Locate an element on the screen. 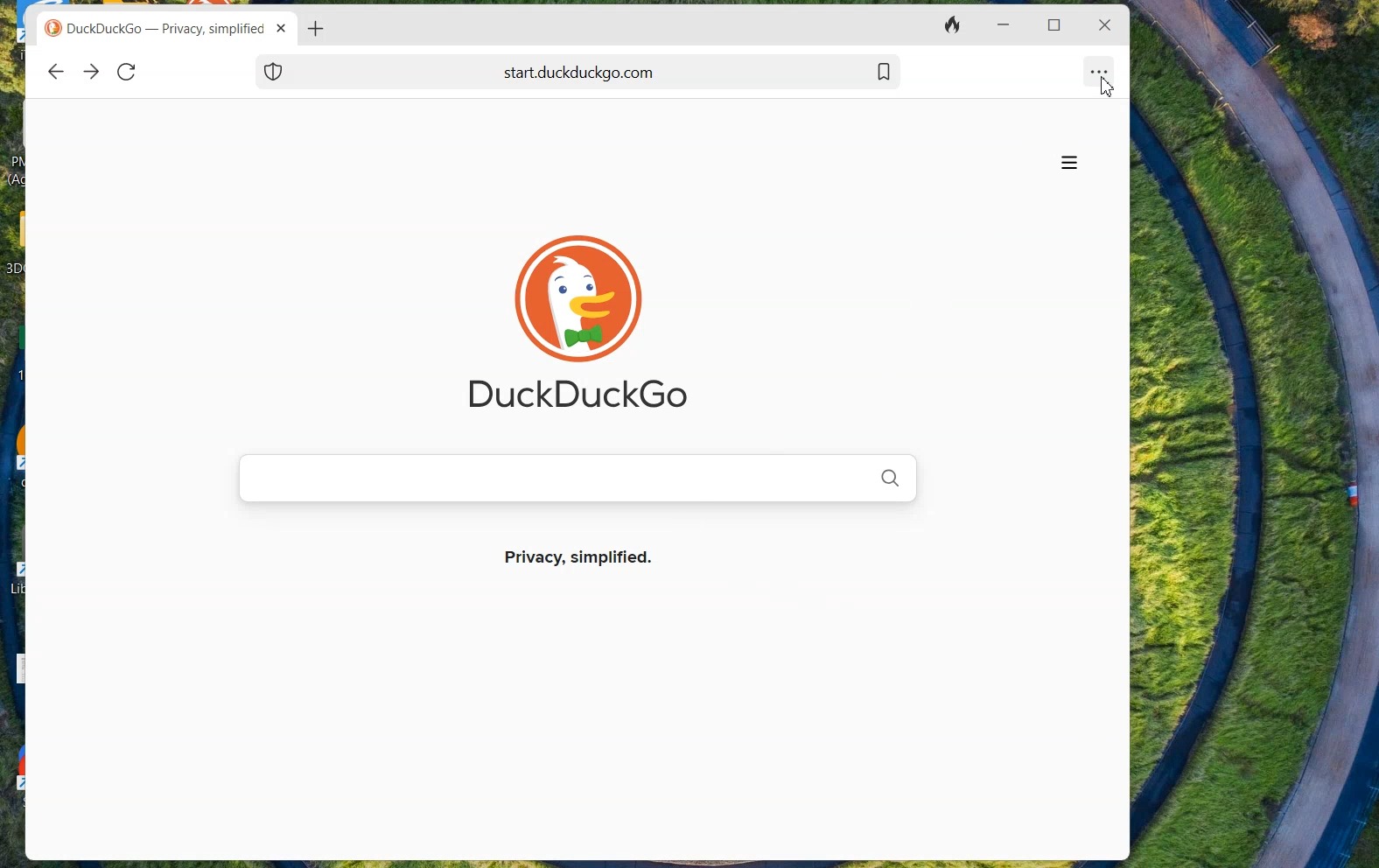 The height and width of the screenshot is (868, 1379). close is located at coordinates (283, 28).